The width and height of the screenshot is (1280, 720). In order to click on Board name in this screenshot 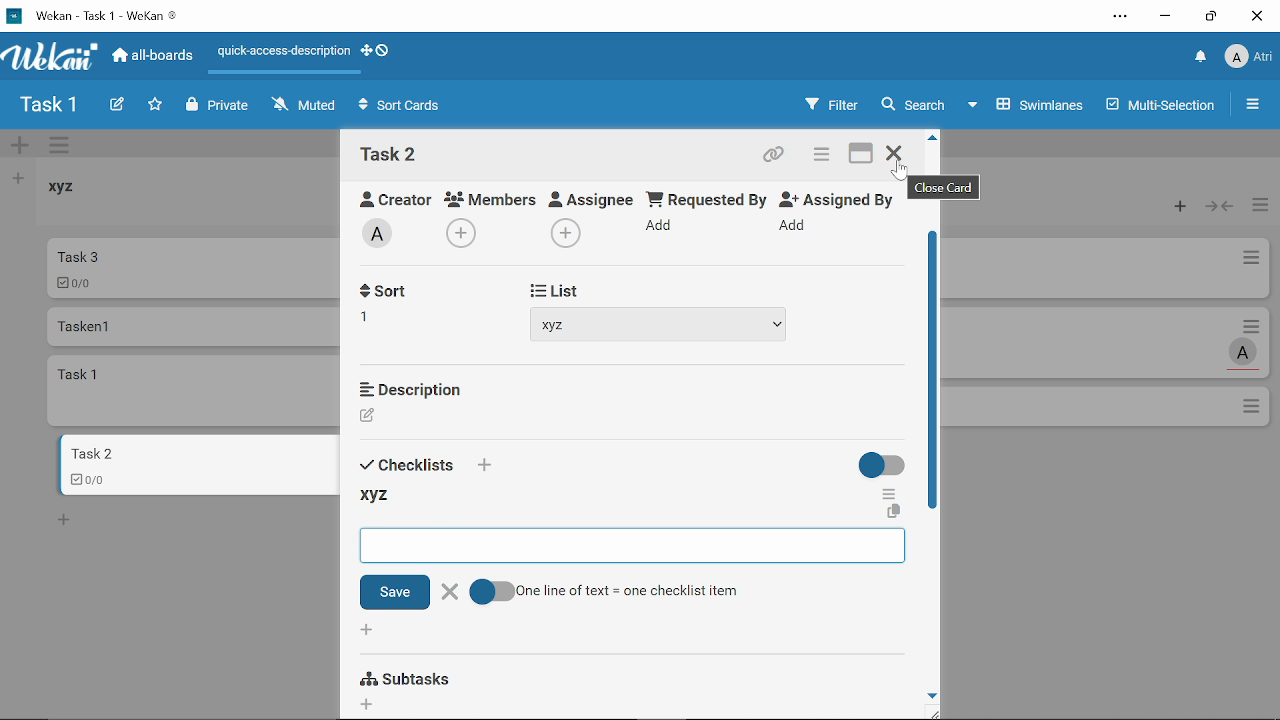, I will do `click(48, 105)`.